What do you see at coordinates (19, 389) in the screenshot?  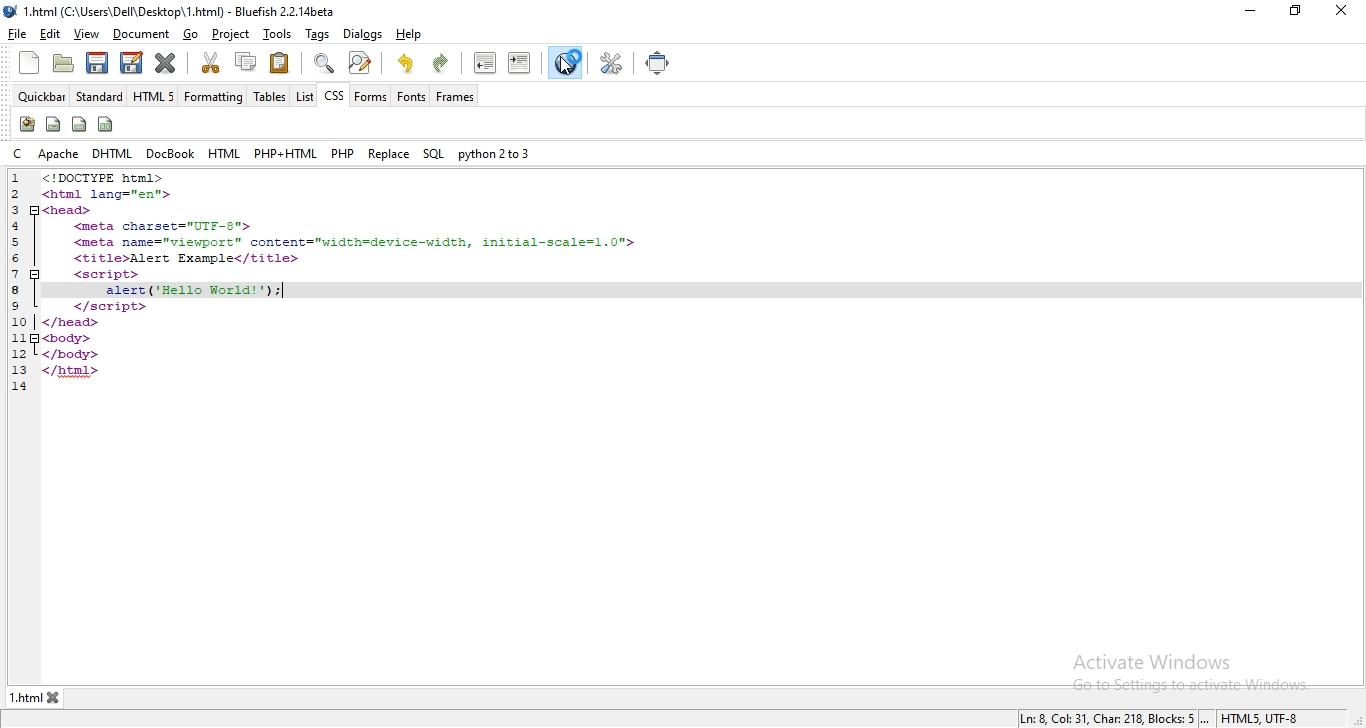 I see `14` at bounding box center [19, 389].